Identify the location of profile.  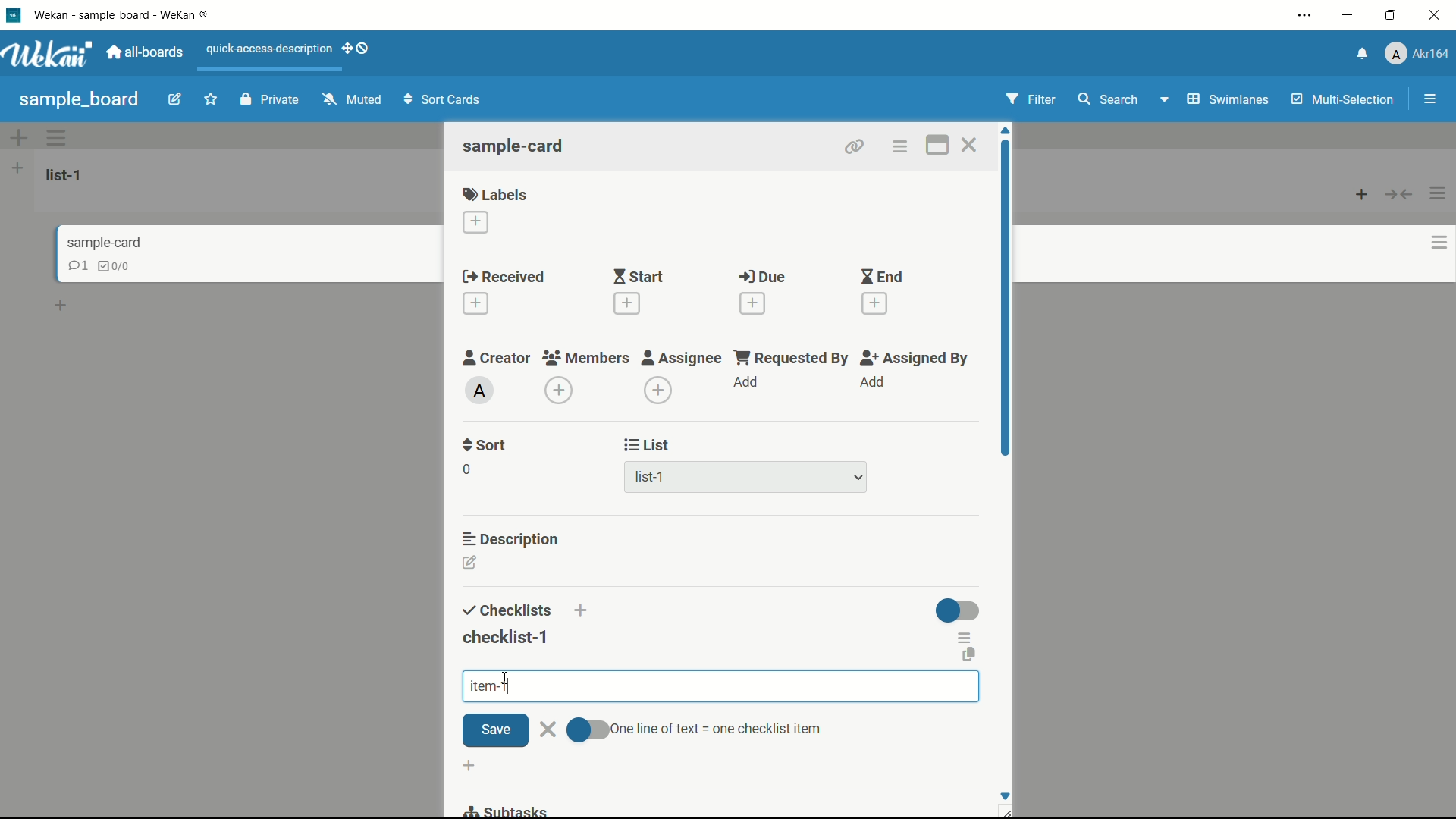
(1418, 55).